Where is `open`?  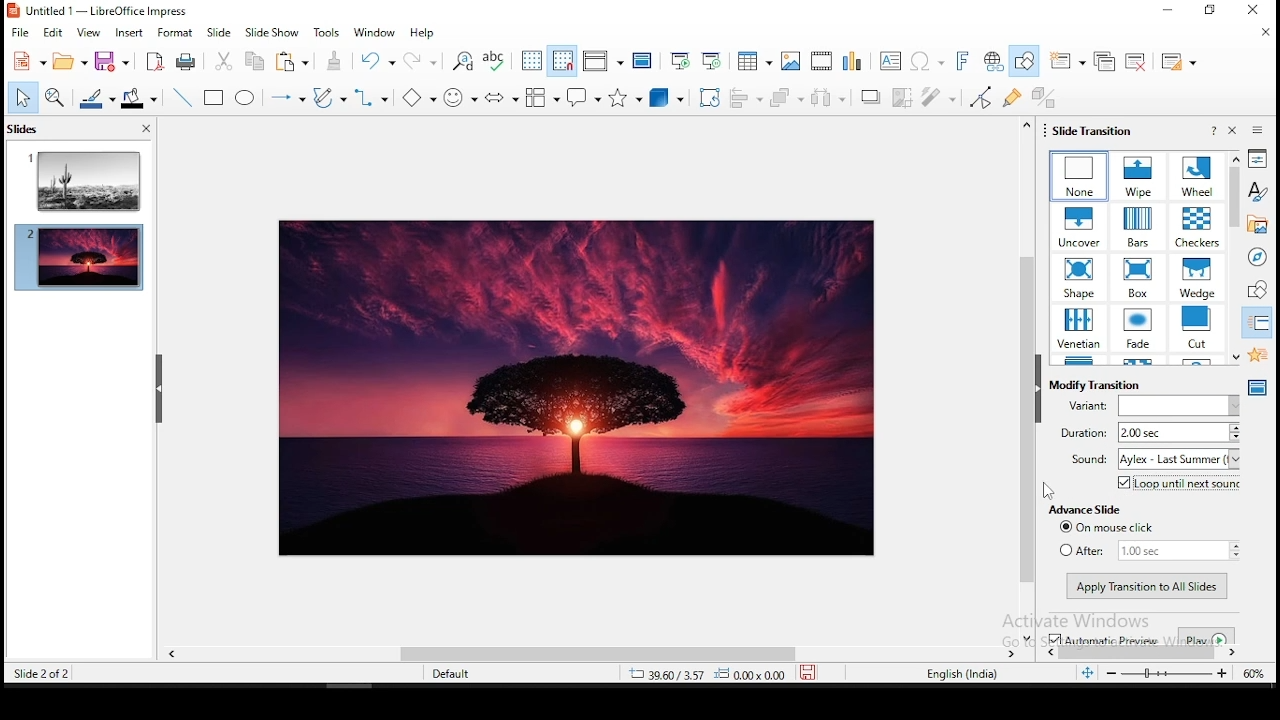 open is located at coordinates (67, 61).